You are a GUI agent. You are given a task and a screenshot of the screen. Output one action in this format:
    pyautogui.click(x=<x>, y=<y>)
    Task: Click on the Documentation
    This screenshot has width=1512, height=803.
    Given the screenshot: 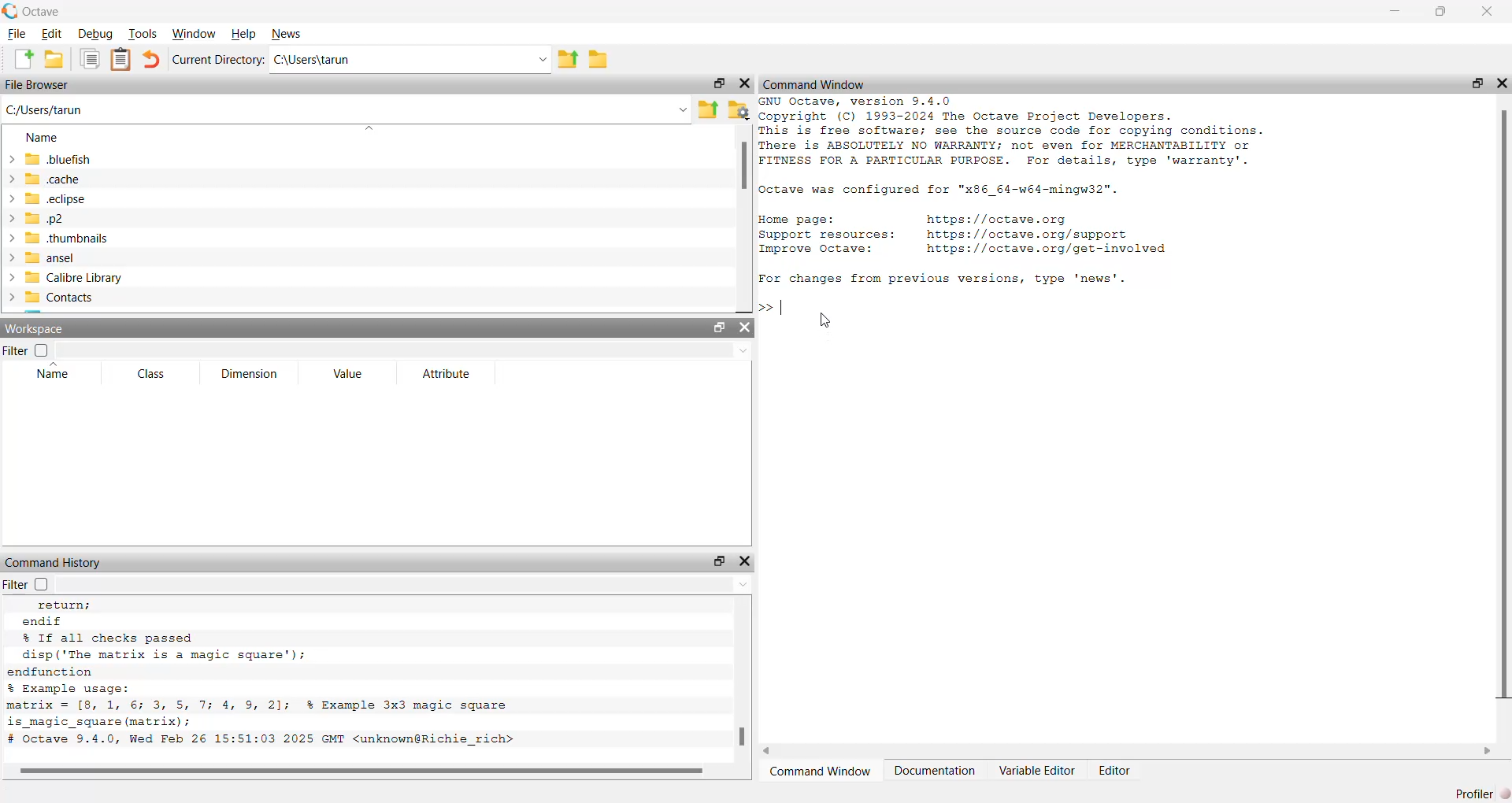 What is the action you would take?
    pyautogui.click(x=934, y=770)
    